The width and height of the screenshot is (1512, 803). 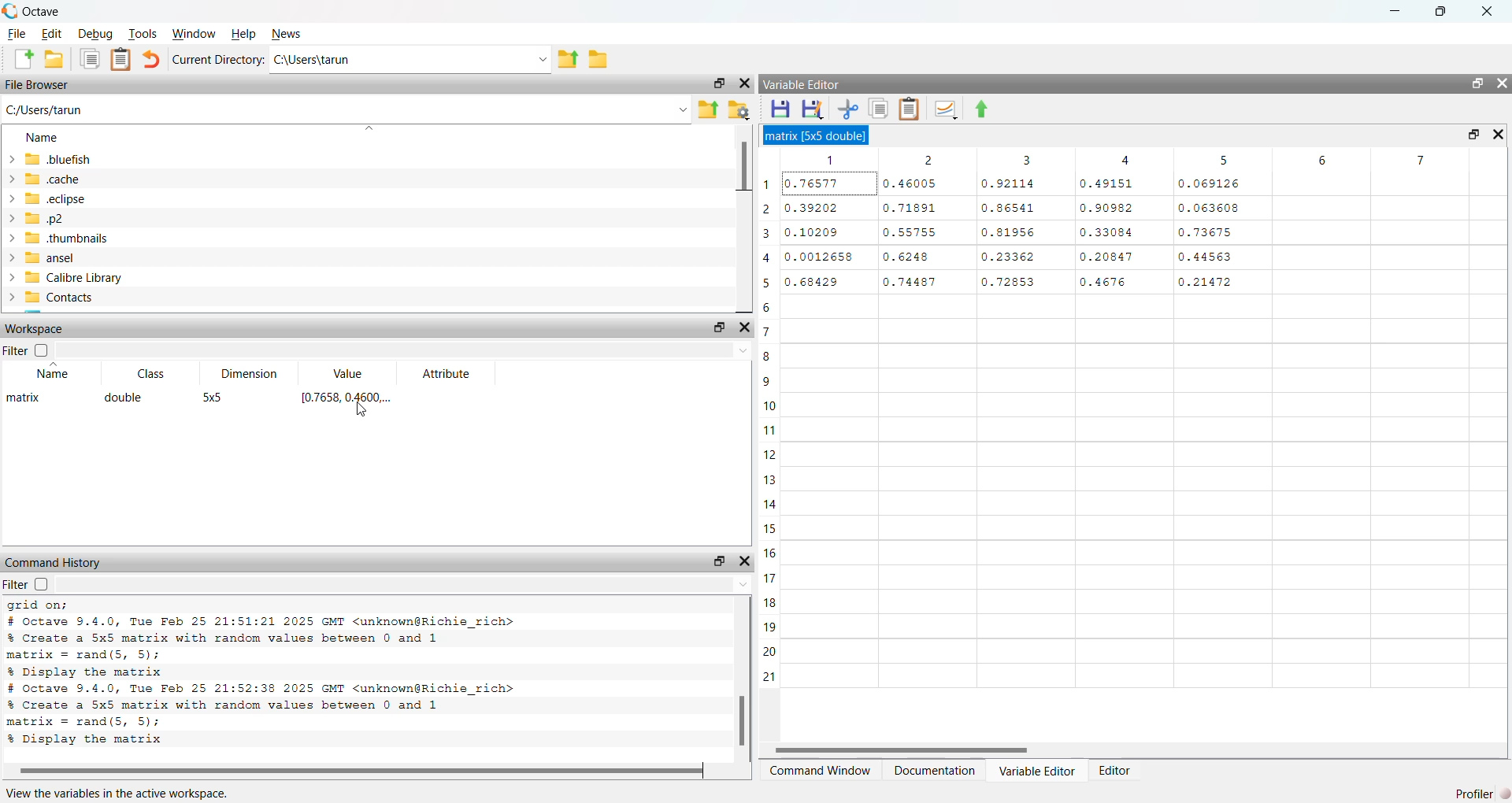 I want to click on export, so click(x=707, y=109).